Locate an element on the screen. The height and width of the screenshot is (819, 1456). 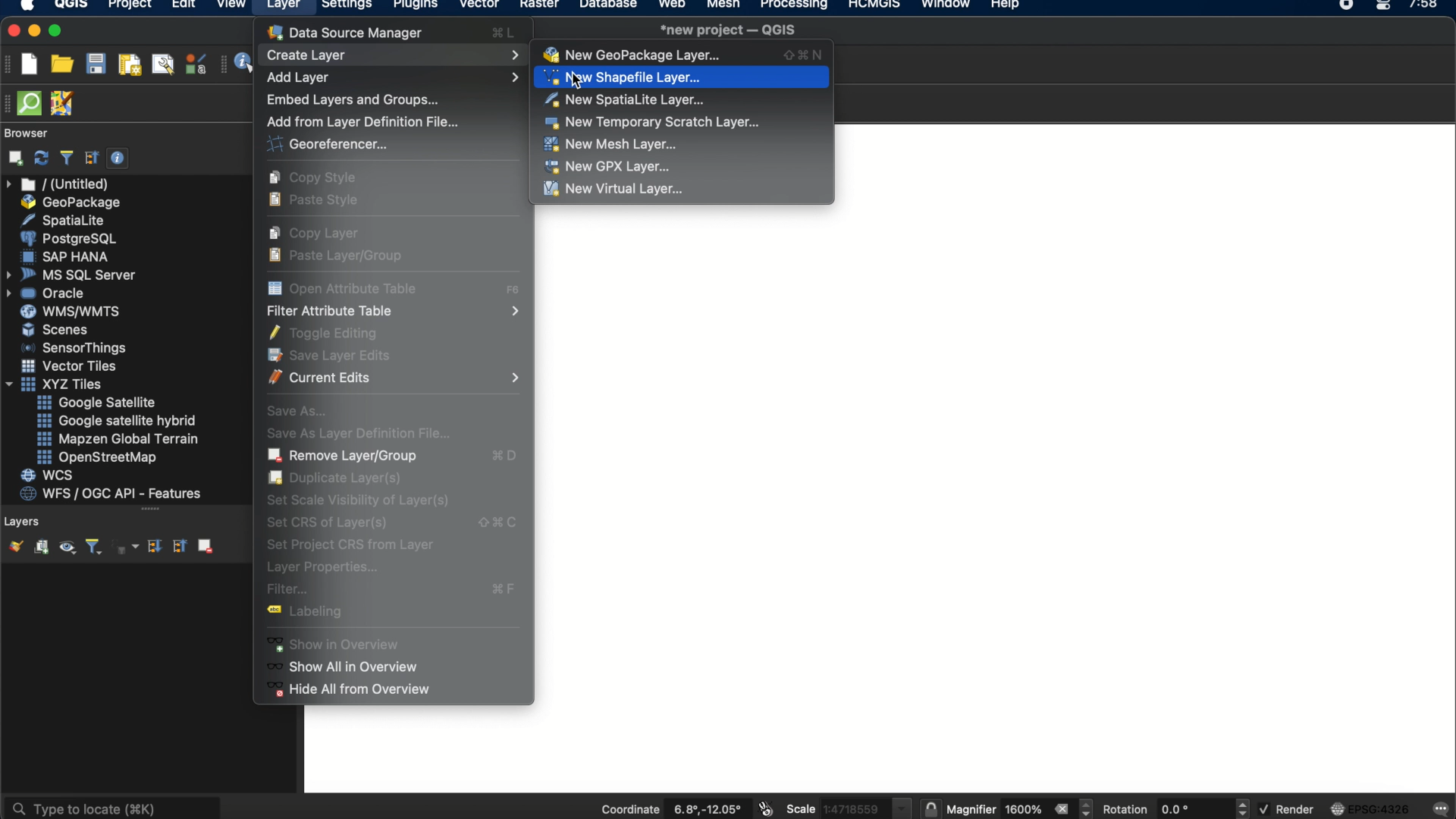
set scene visibility of layers is located at coordinates (361, 500).